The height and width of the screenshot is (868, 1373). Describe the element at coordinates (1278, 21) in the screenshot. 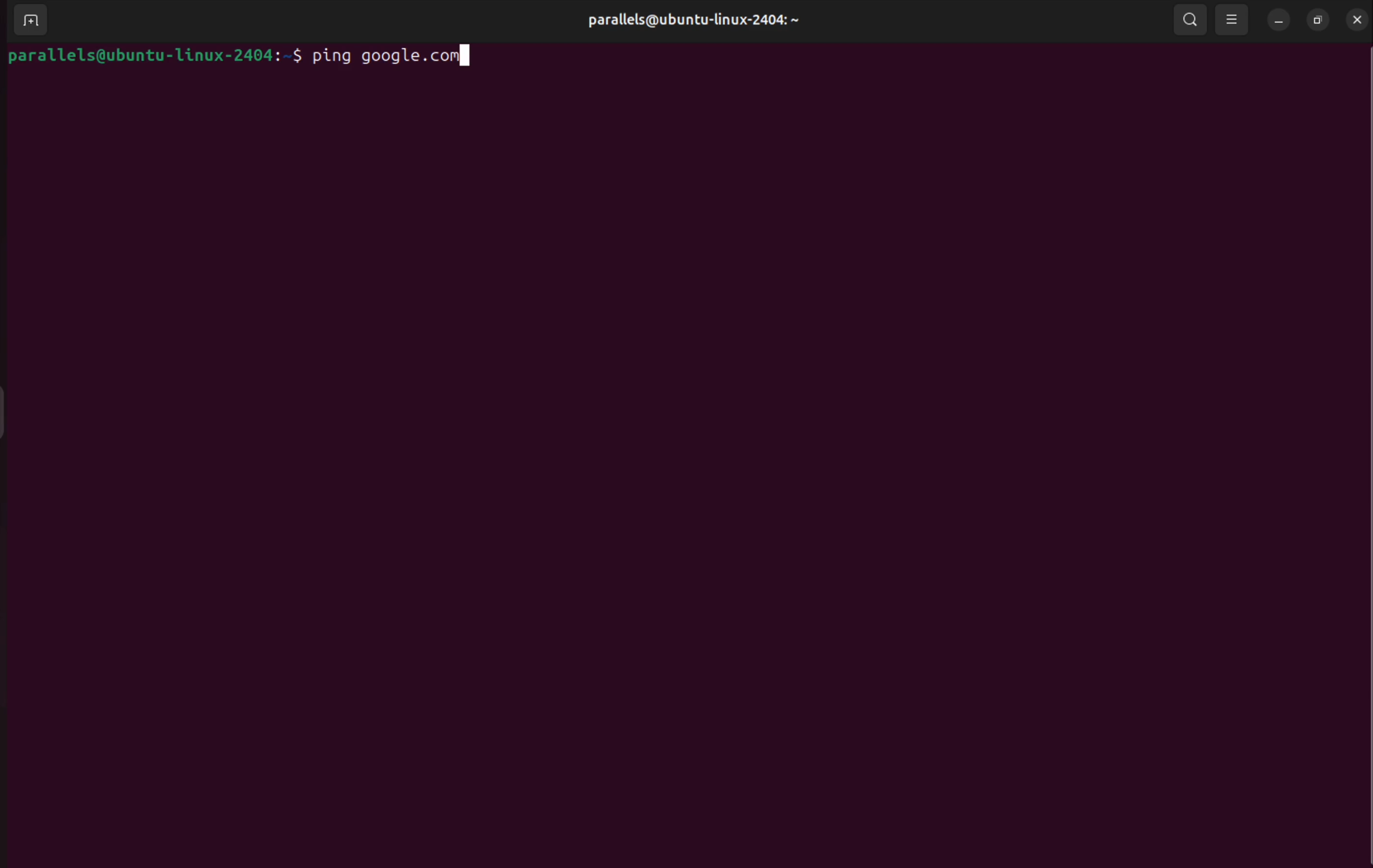

I see `minimize` at that location.